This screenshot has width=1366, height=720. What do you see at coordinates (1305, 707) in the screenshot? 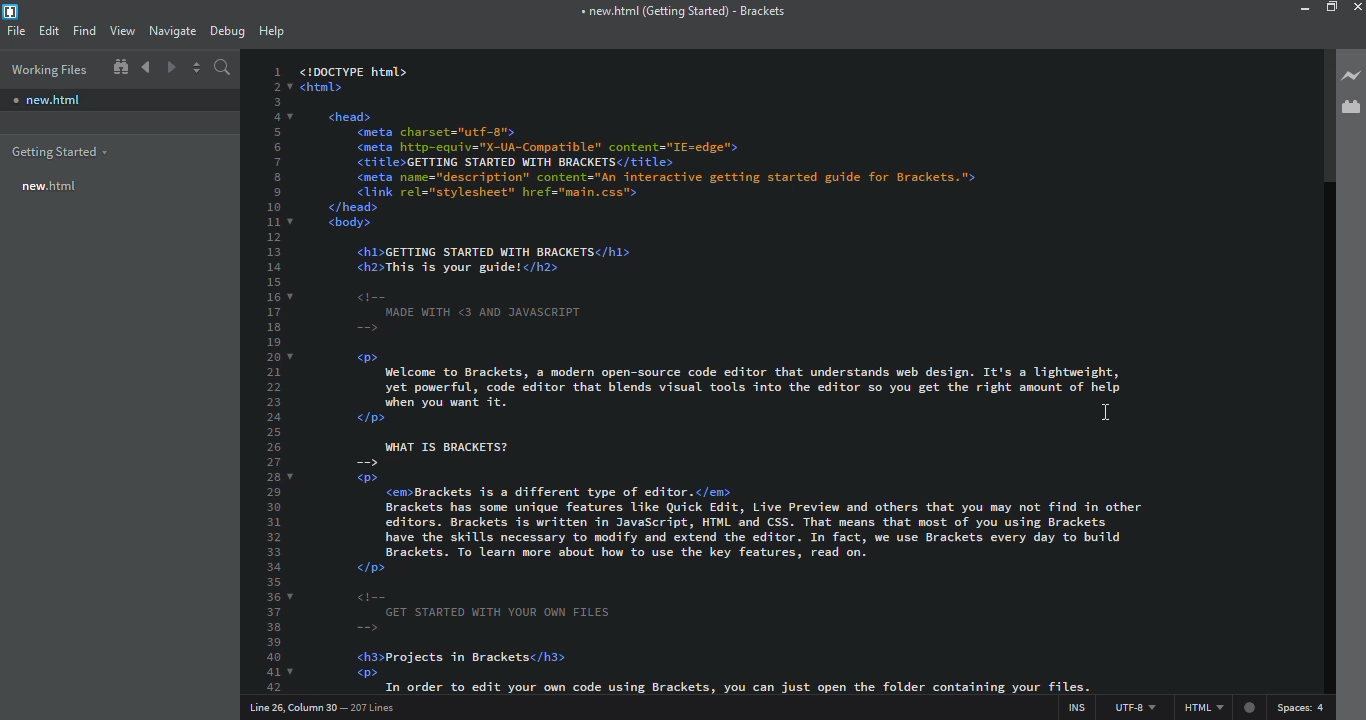
I see `spaces` at bounding box center [1305, 707].